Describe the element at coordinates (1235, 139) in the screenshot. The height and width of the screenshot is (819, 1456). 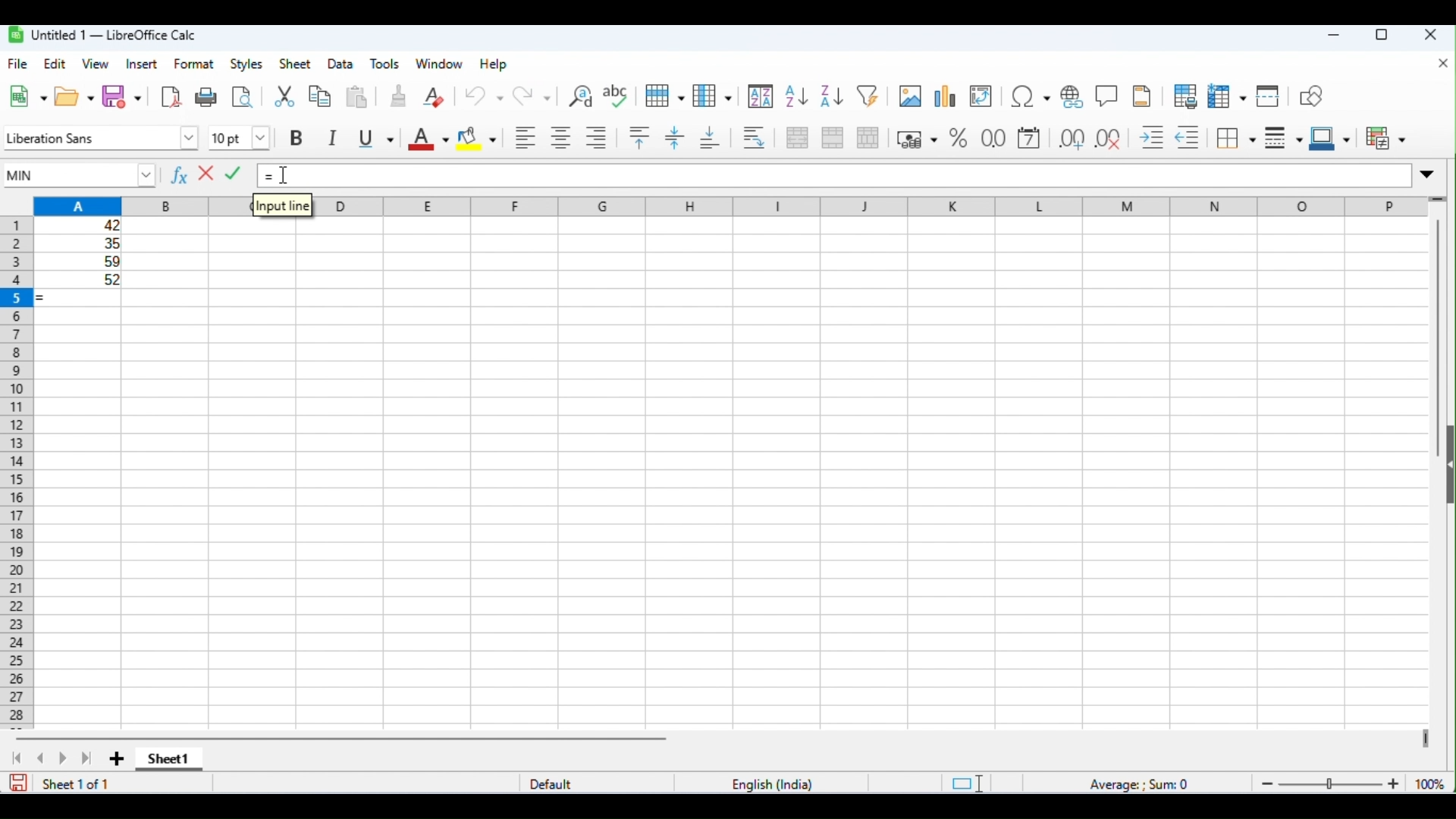
I see `border` at that location.